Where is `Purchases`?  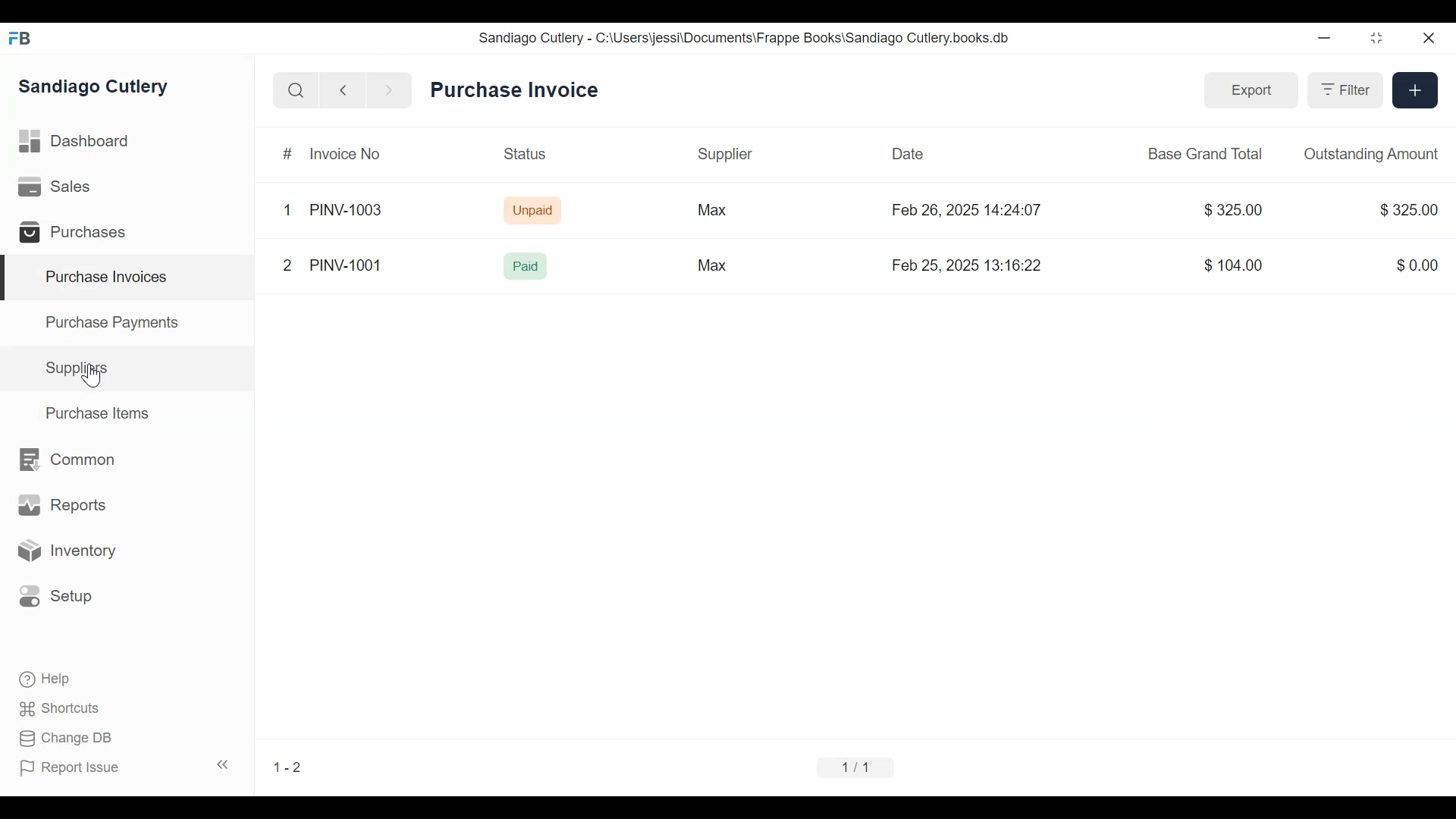 Purchases is located at coordinates (82, 234).